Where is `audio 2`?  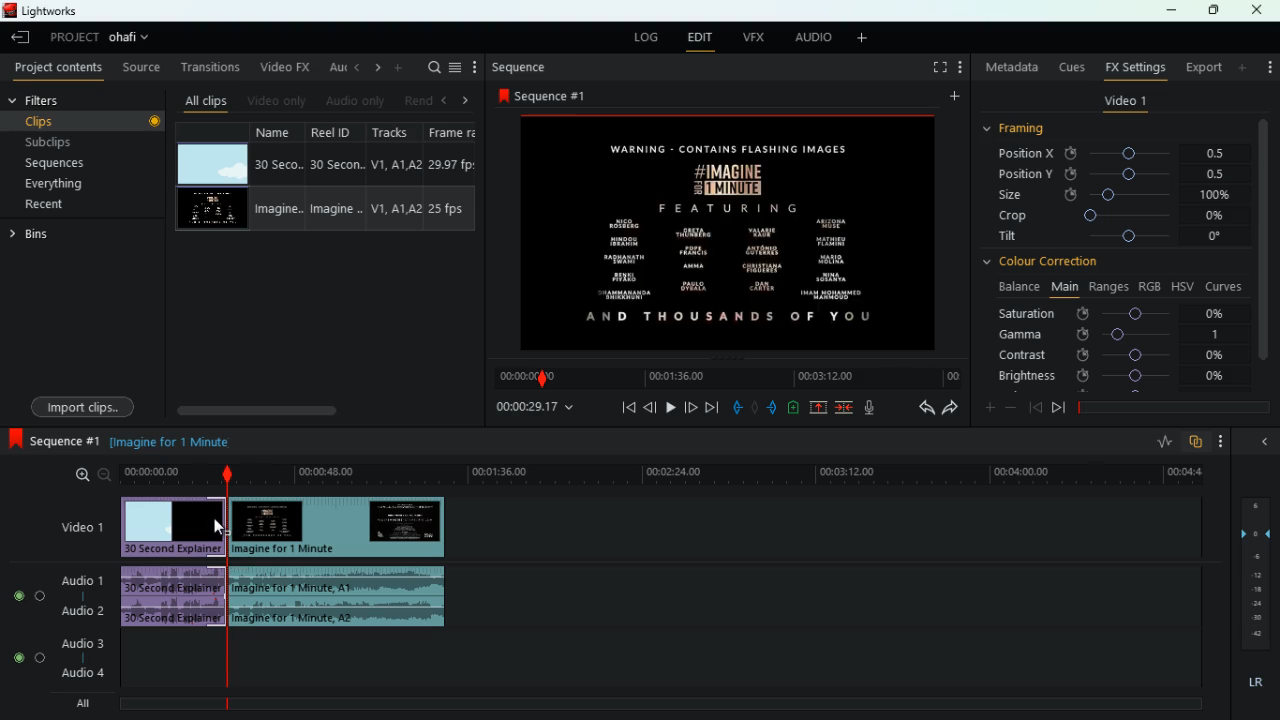
audio 2 is located at coordinates (80, 611).